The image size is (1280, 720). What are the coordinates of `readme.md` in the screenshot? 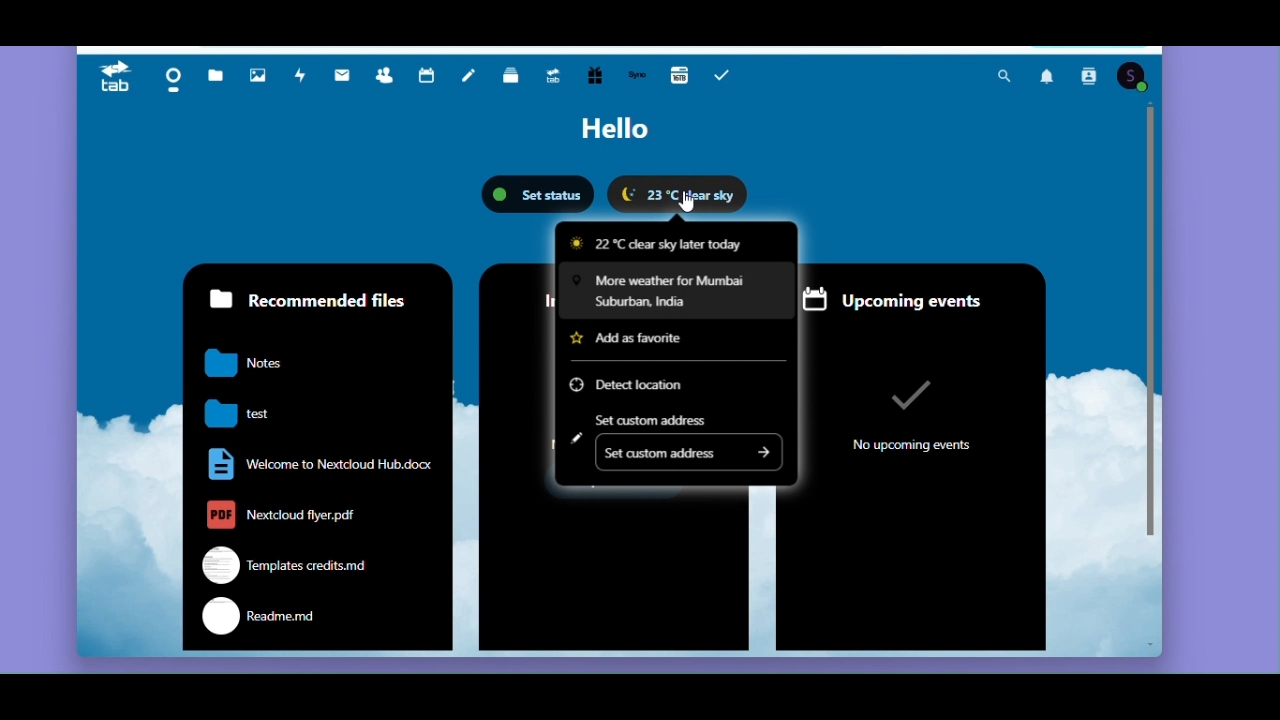 It's located at (258, 616).